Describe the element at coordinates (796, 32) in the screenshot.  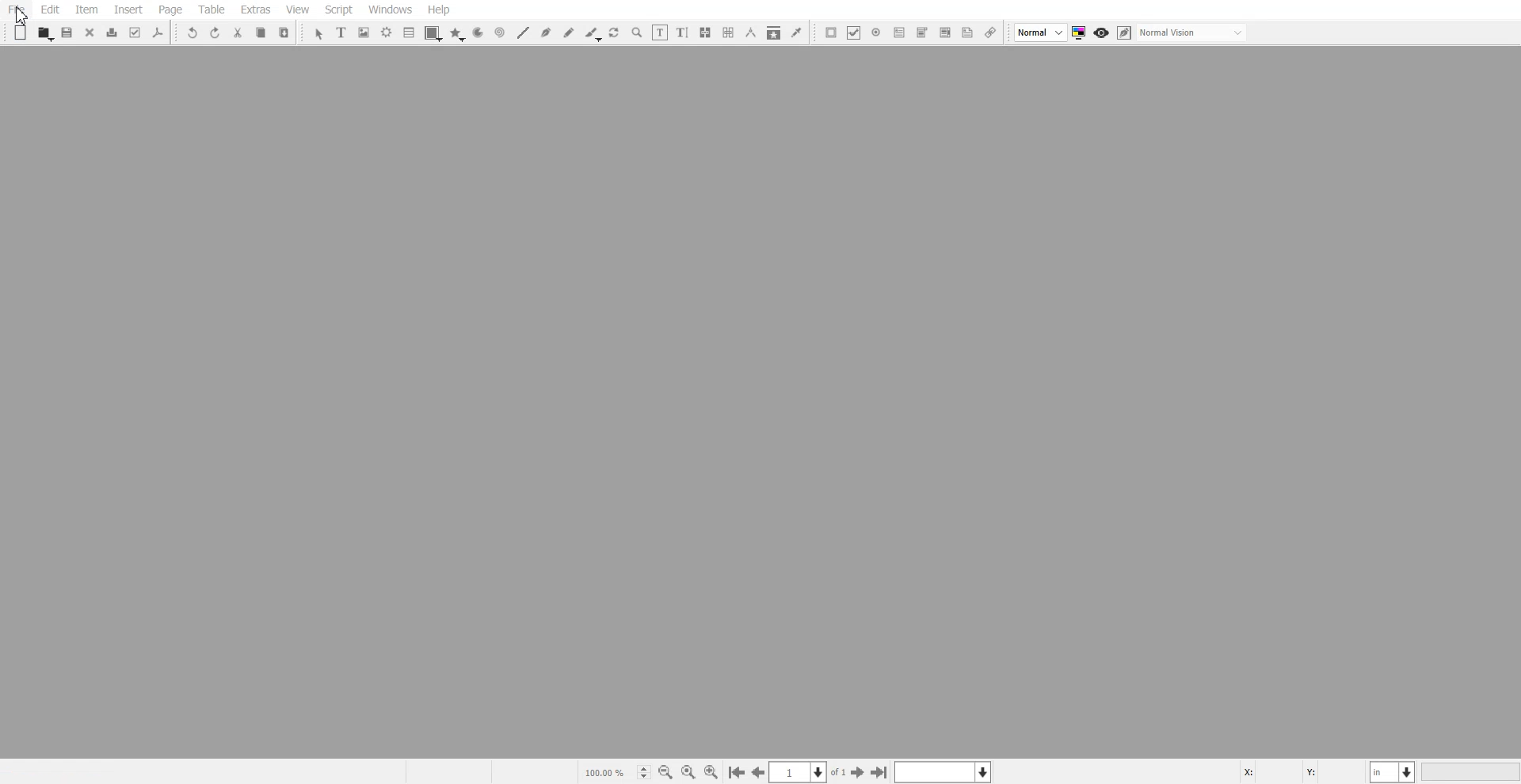
I see `Eye Dropper` at that location.